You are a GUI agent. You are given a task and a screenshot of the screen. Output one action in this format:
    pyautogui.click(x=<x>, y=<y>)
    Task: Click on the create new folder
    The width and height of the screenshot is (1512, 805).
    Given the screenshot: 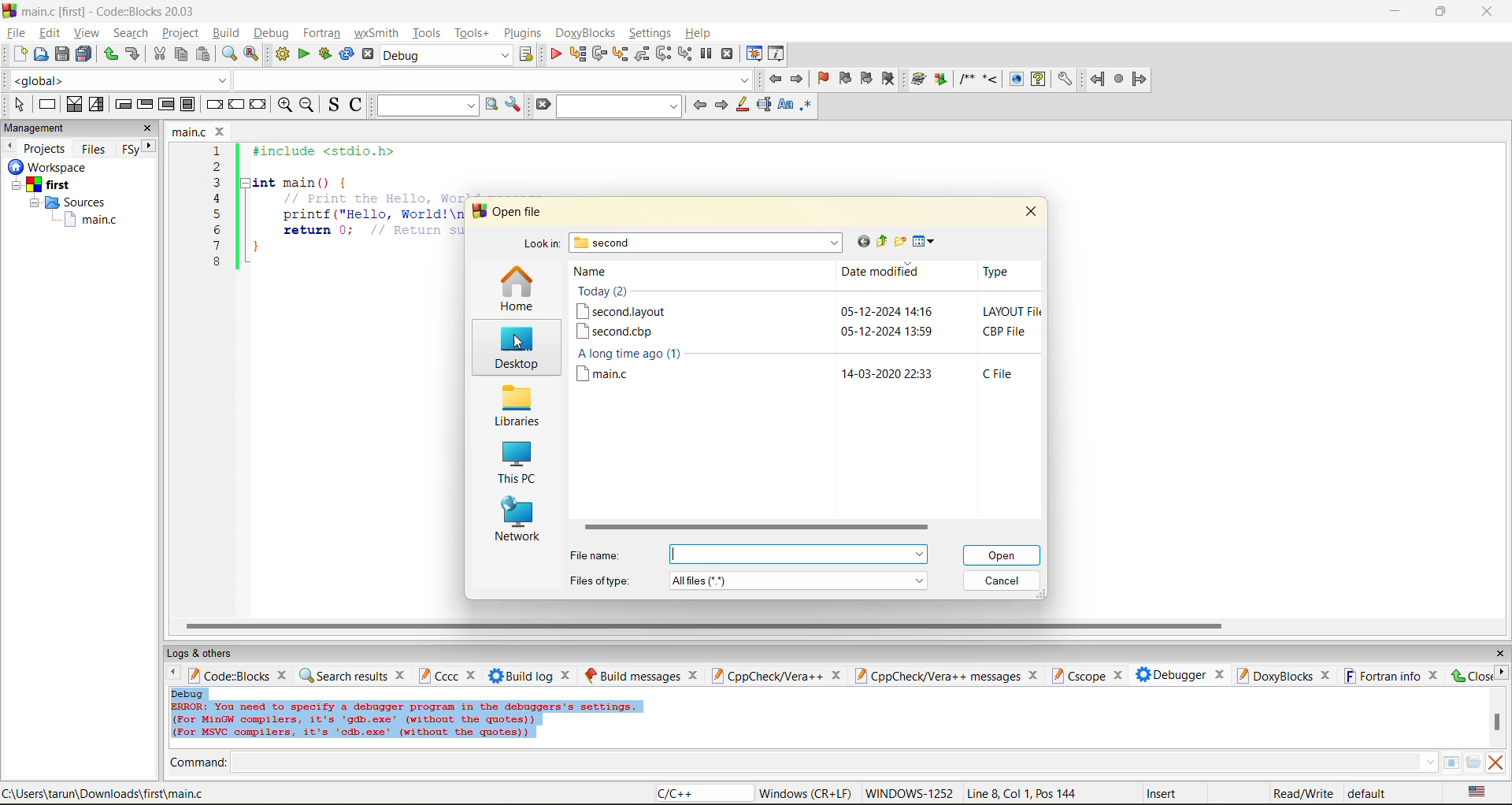 What is the action you would take?
    pyautogui.click(x=902, y=241)
    